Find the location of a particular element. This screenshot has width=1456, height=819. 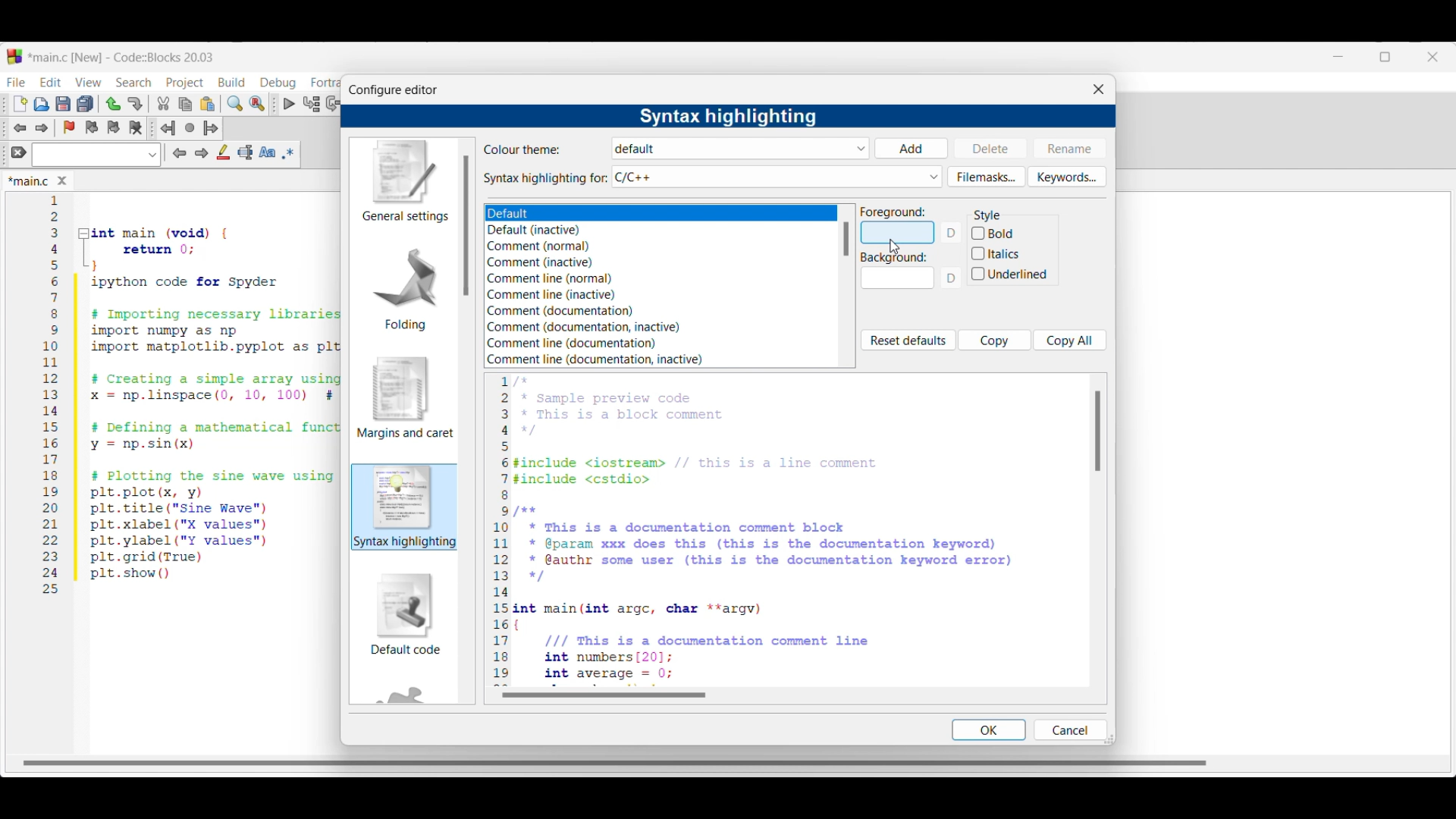

Copy is located at coordinates (185, 105).